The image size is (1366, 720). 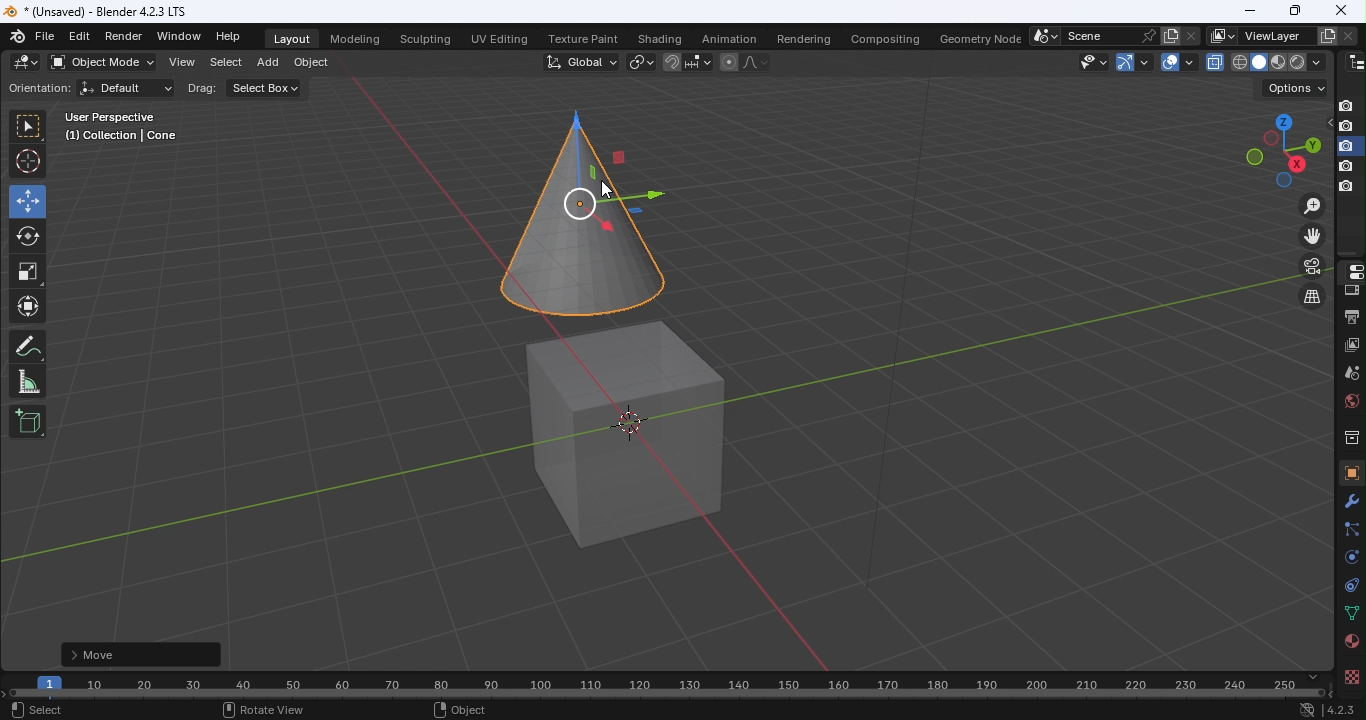 What do you see at coordinates (606, 189) in the screenshot?
I see `cursor` at bounding box center [606, 189].